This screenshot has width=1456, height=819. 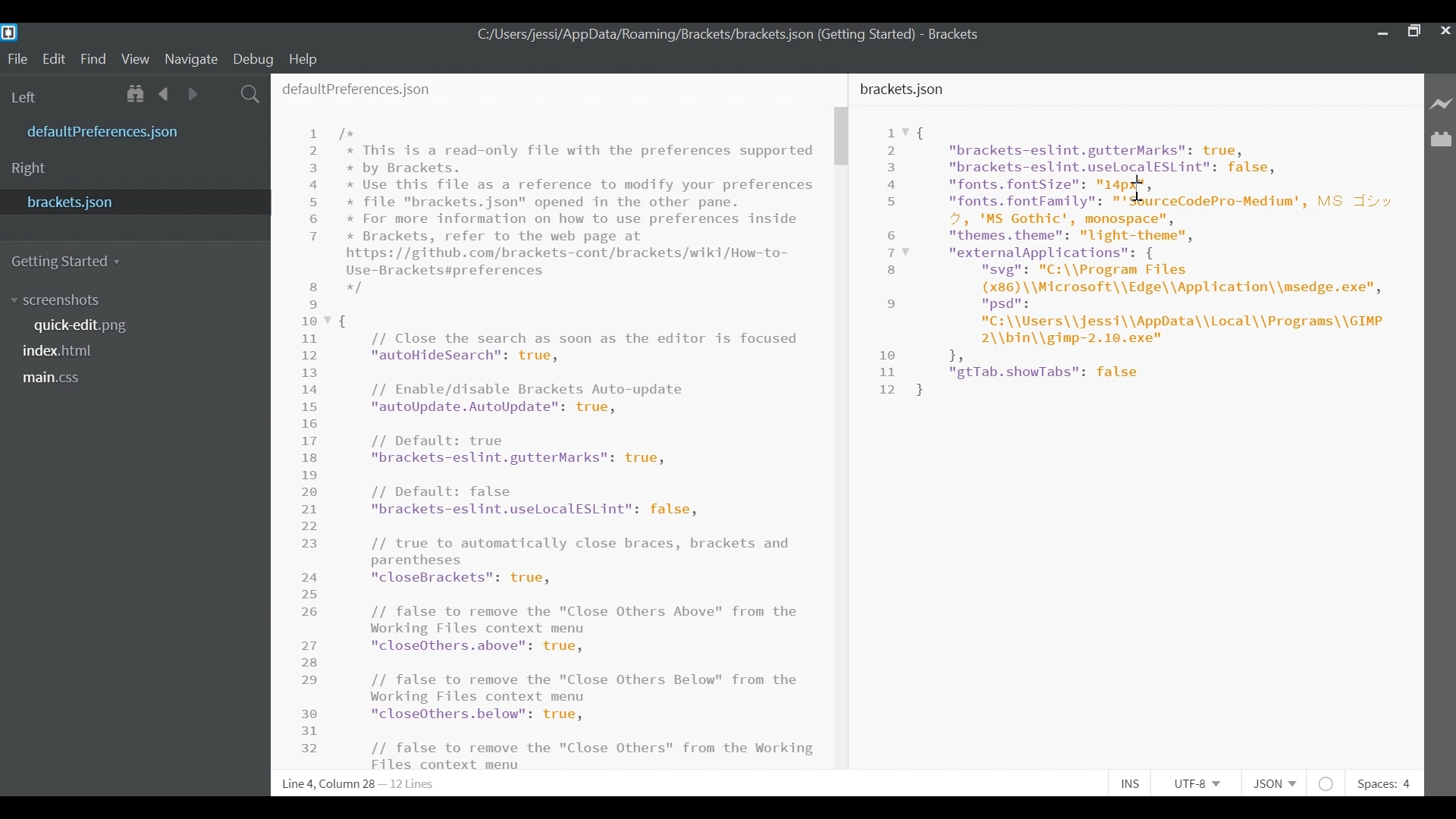 What do you see at coordinates (62, 352) in the screenshot?
I see `index.html` at bounding box center [62, 352].